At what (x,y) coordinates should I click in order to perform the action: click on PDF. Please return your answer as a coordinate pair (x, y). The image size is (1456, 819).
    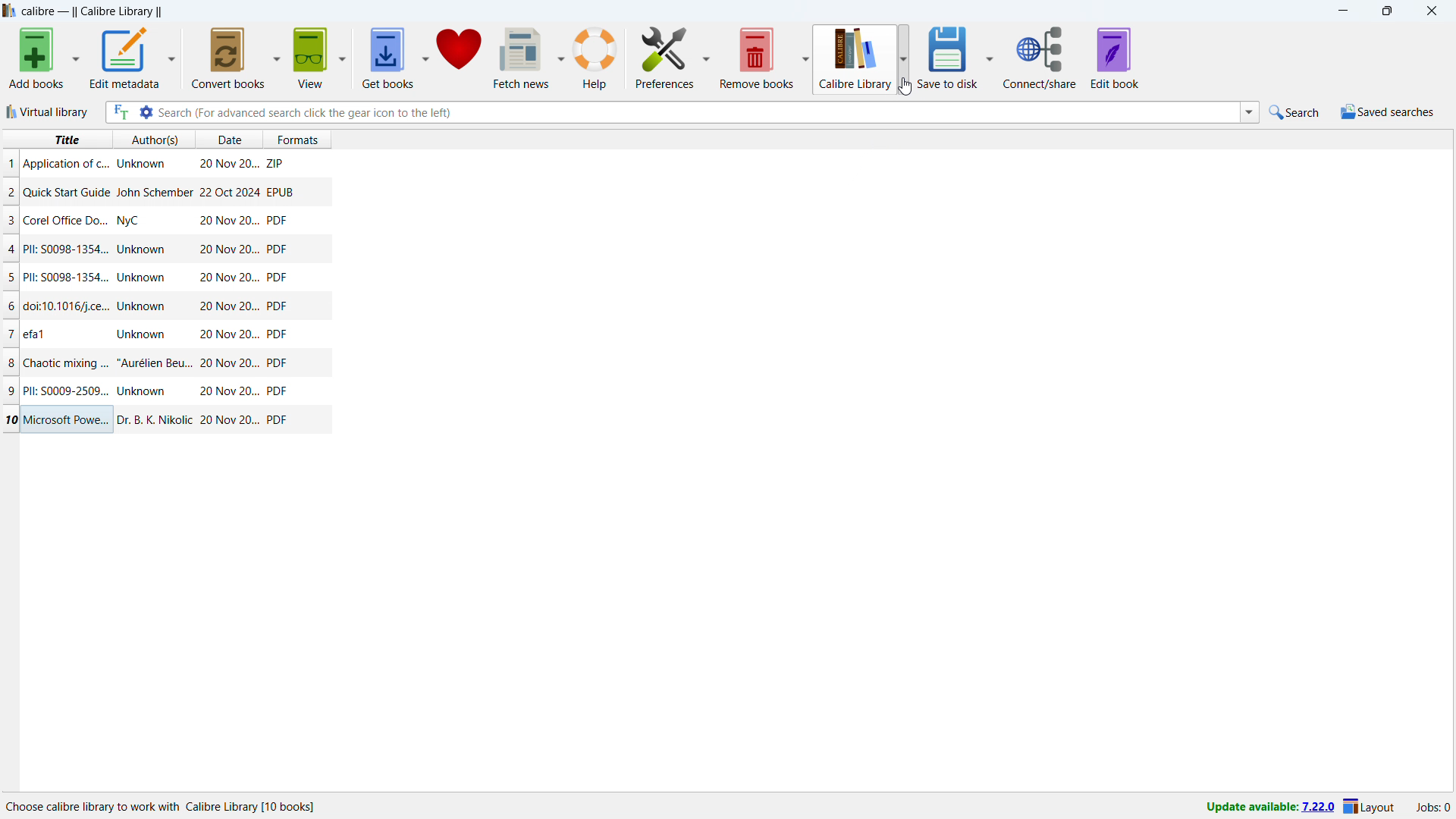
    Looking at the image, I should click on (278, 419).